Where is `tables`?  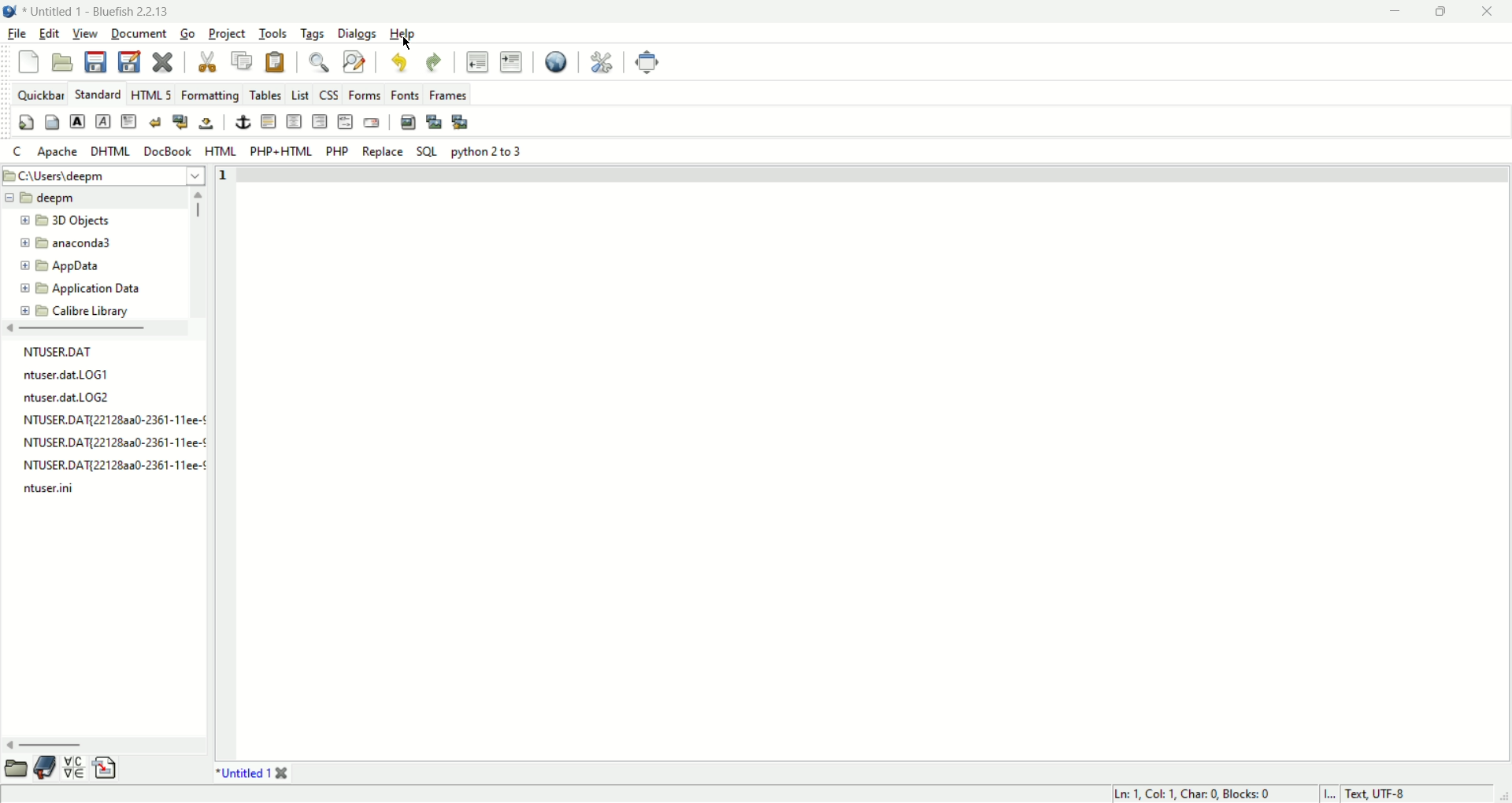
tables is located at coordinates (263, 95).